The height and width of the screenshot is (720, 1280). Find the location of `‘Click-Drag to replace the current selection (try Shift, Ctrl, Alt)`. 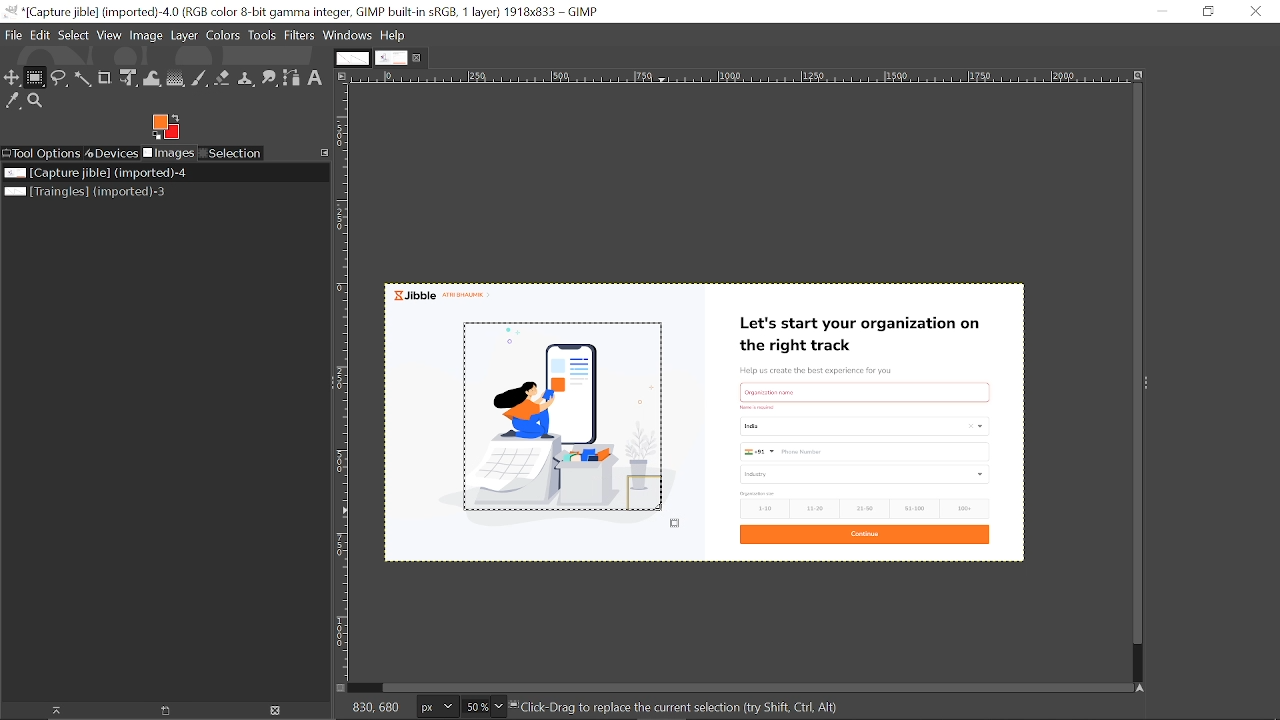

‘Click-Drag to replace the current selection (try Shift, Ctrl, Alt) is located at coordinates (685, 707).